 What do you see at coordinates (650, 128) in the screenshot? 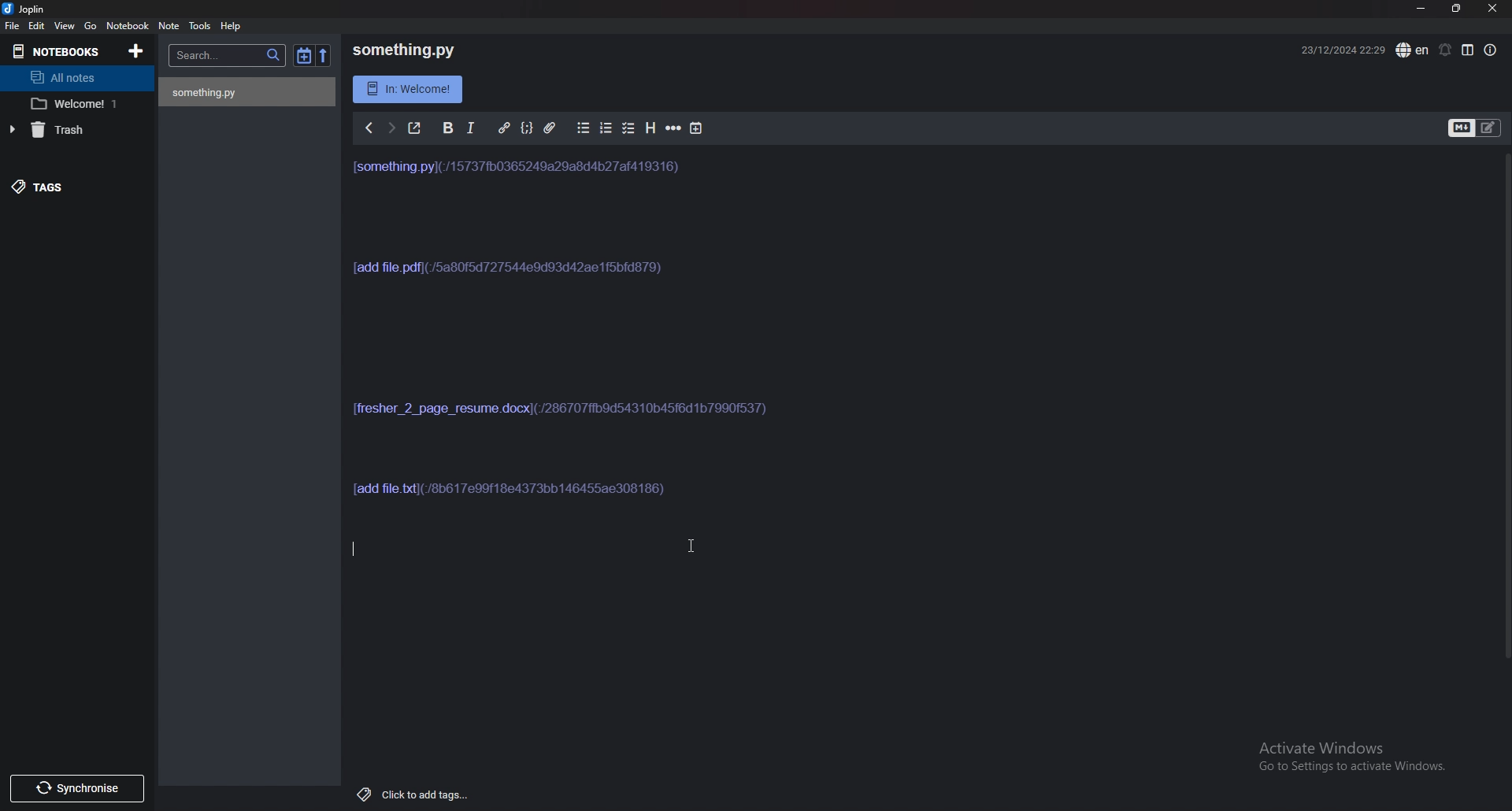
I see `Heading` at bounding box center [650, 128].